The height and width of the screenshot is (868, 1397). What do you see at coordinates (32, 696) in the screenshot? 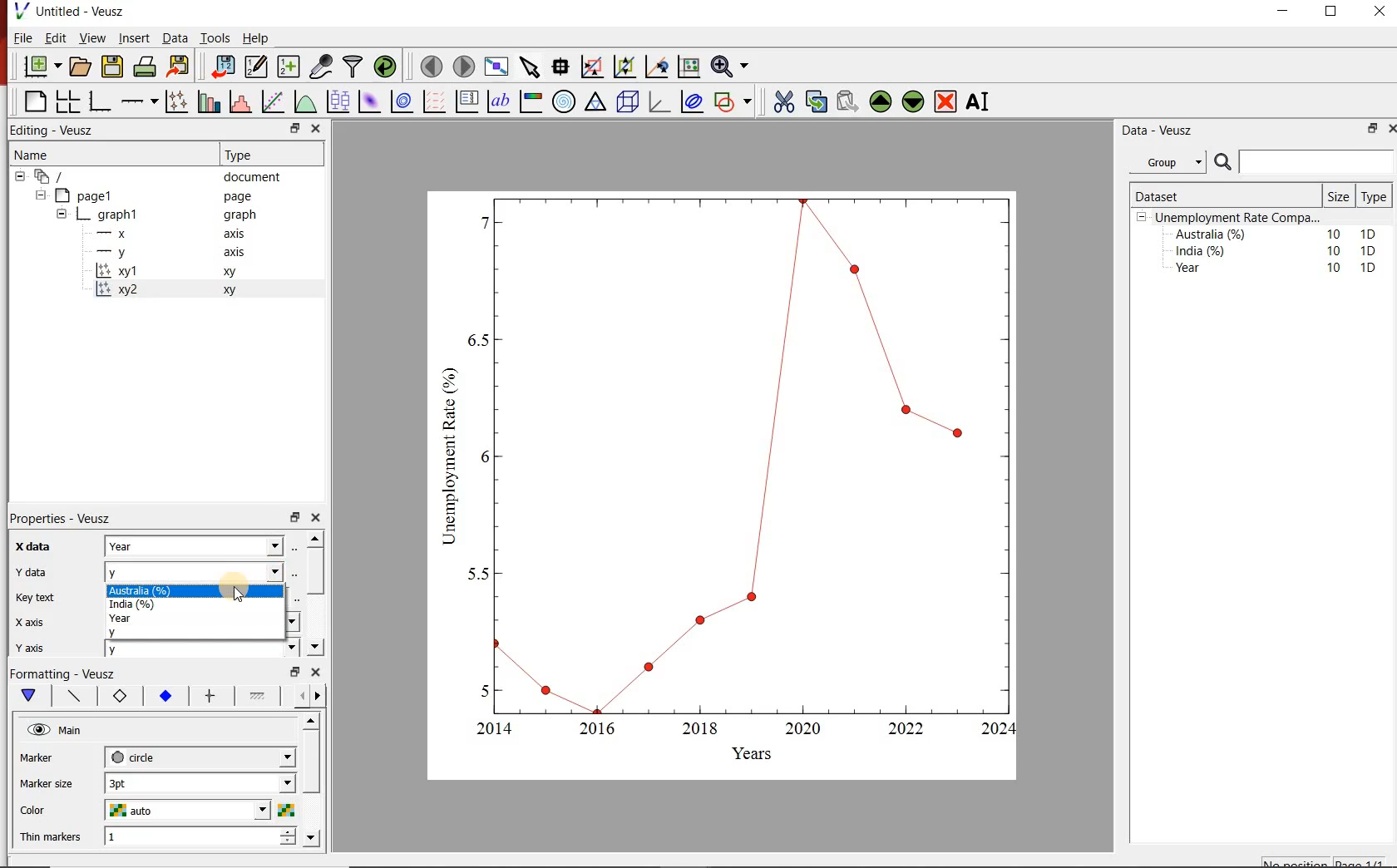
I see `main` at bounding box center [32, 696].